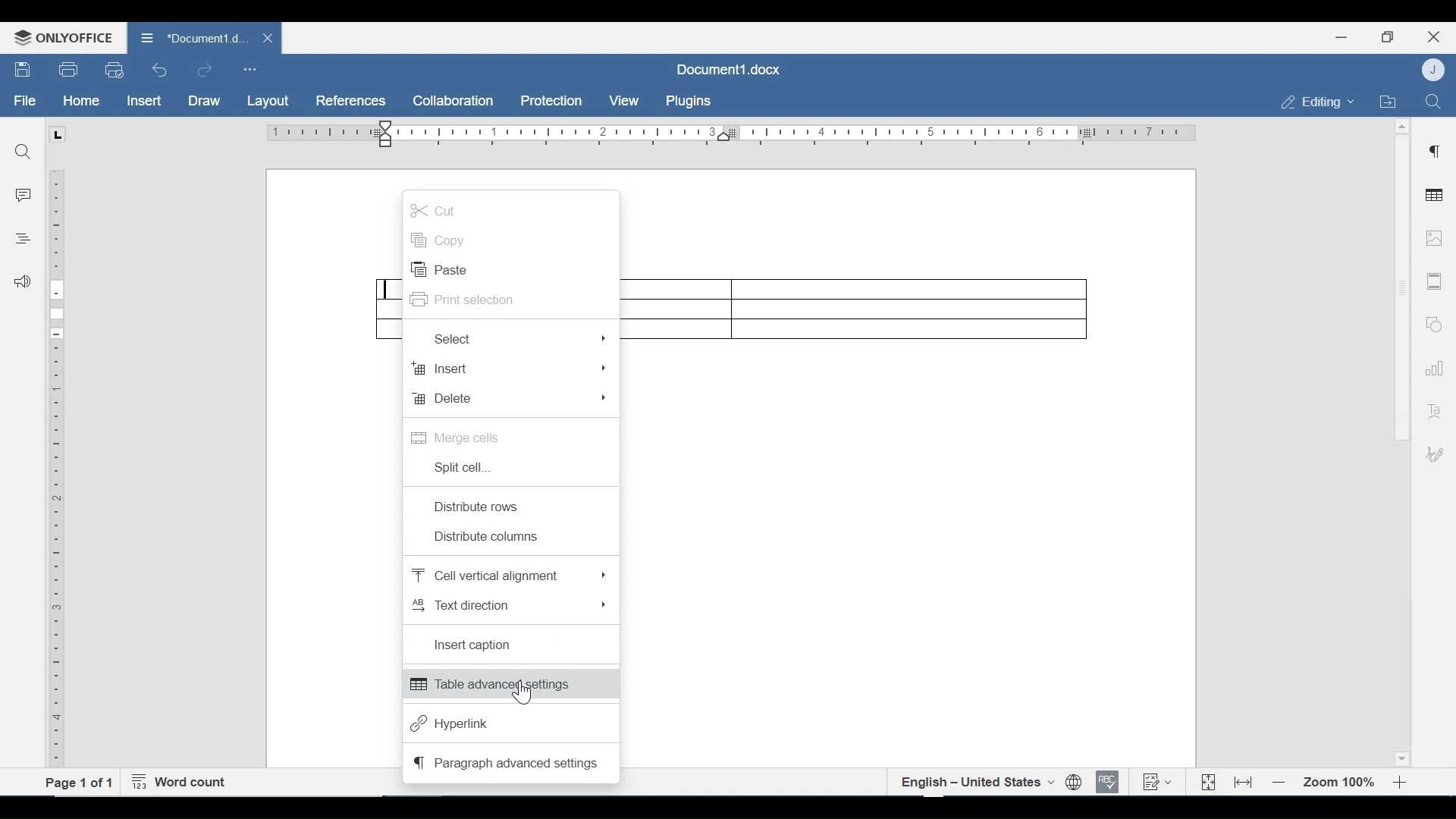  I want to click on Page 1 of 1, so click(80, 782).